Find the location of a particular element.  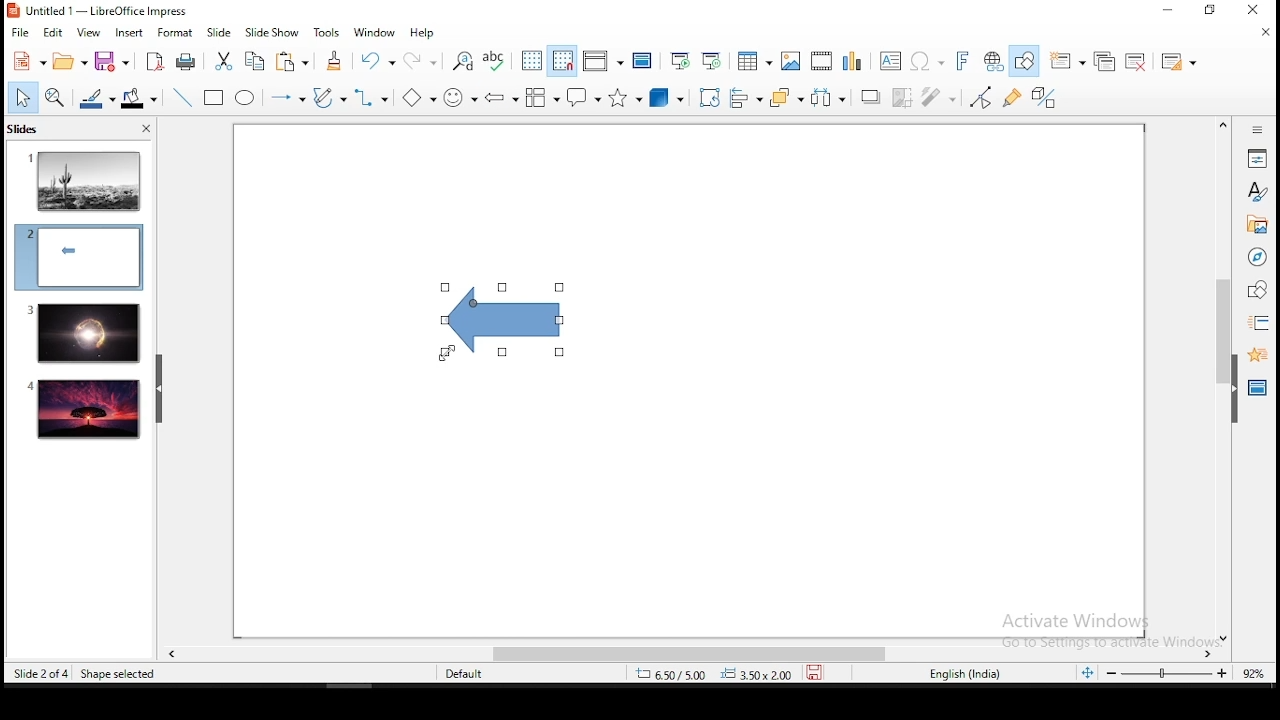

restore is located at coordinates (1211, 11).